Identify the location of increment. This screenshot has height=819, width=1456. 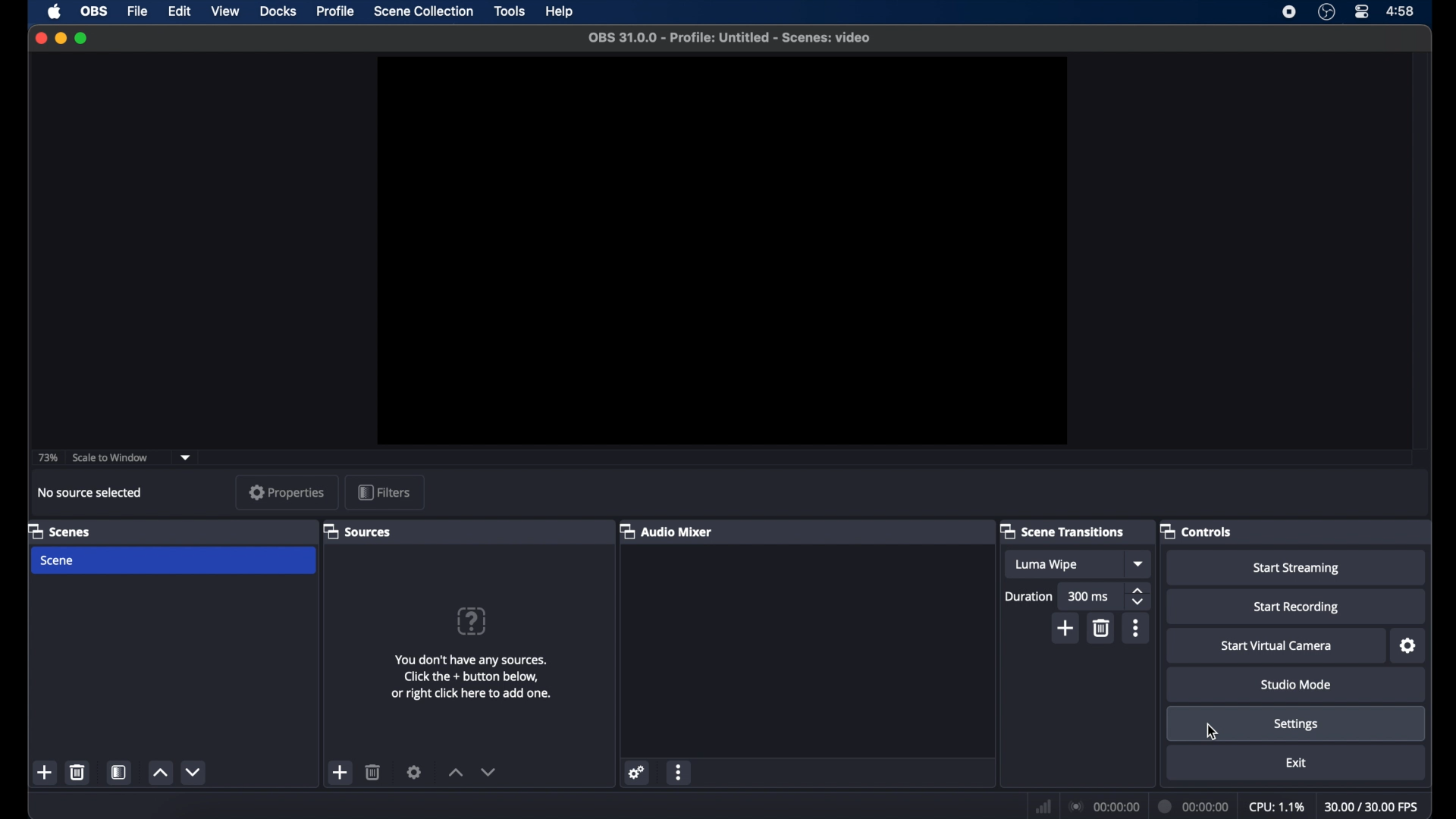
(457, 772).